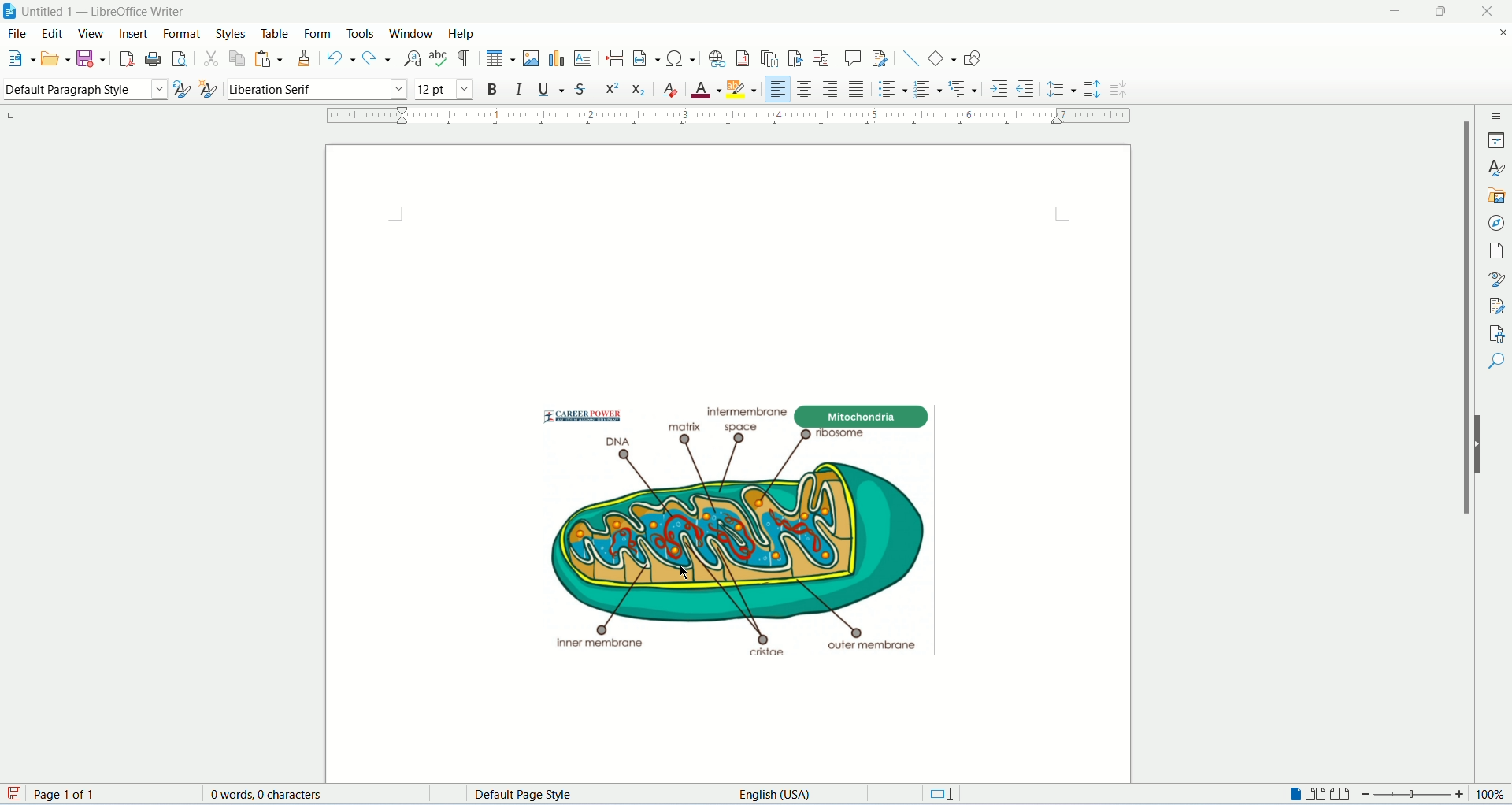  I want to click on maximize, so click(1444, 12).